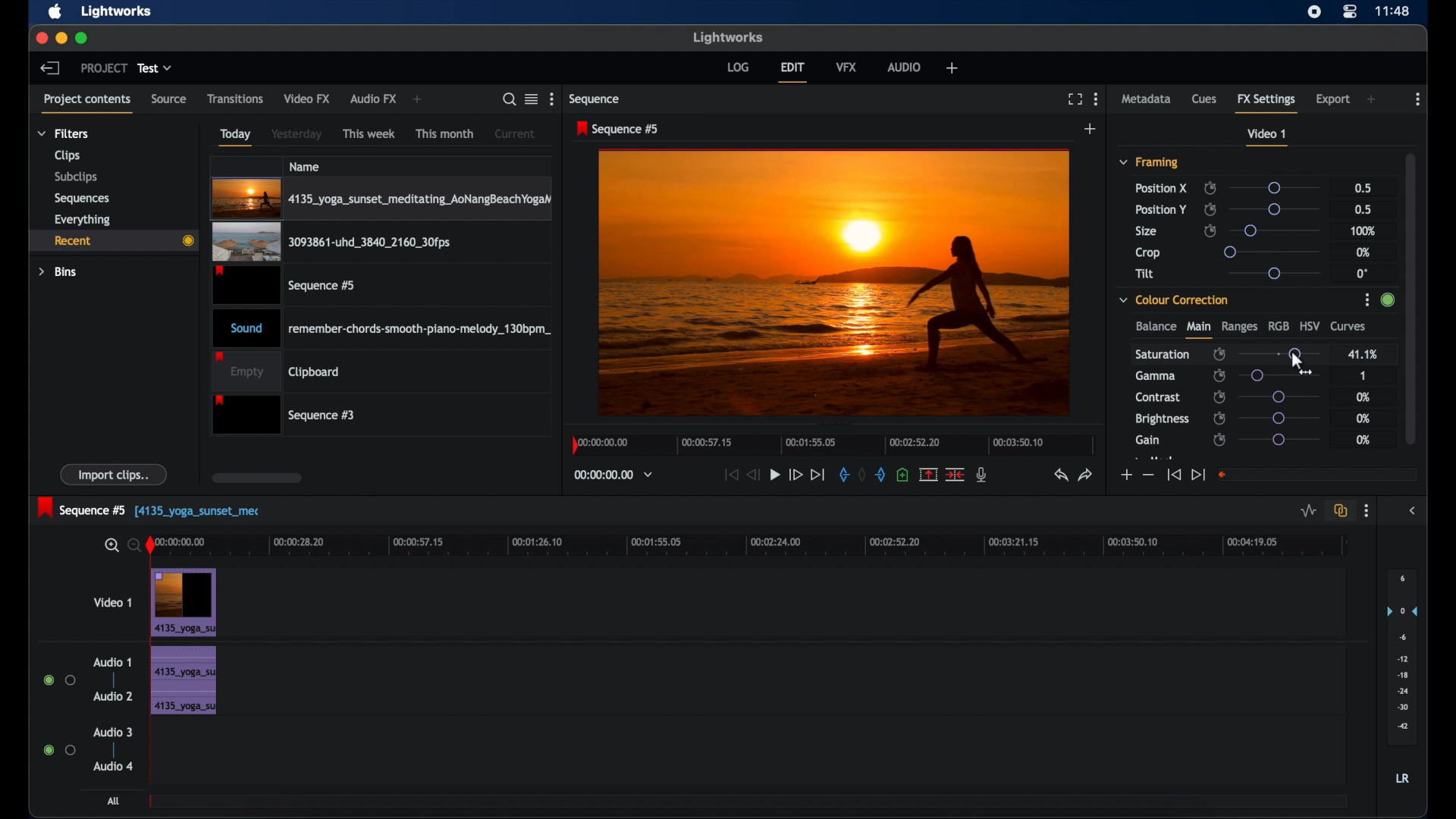 The height and width of the screenshot is (819, 1456). What do you see at coordinates (1307, 510) in the screenshot?
I see `toggle audio levels editing` at bounding box center [1307, 510].